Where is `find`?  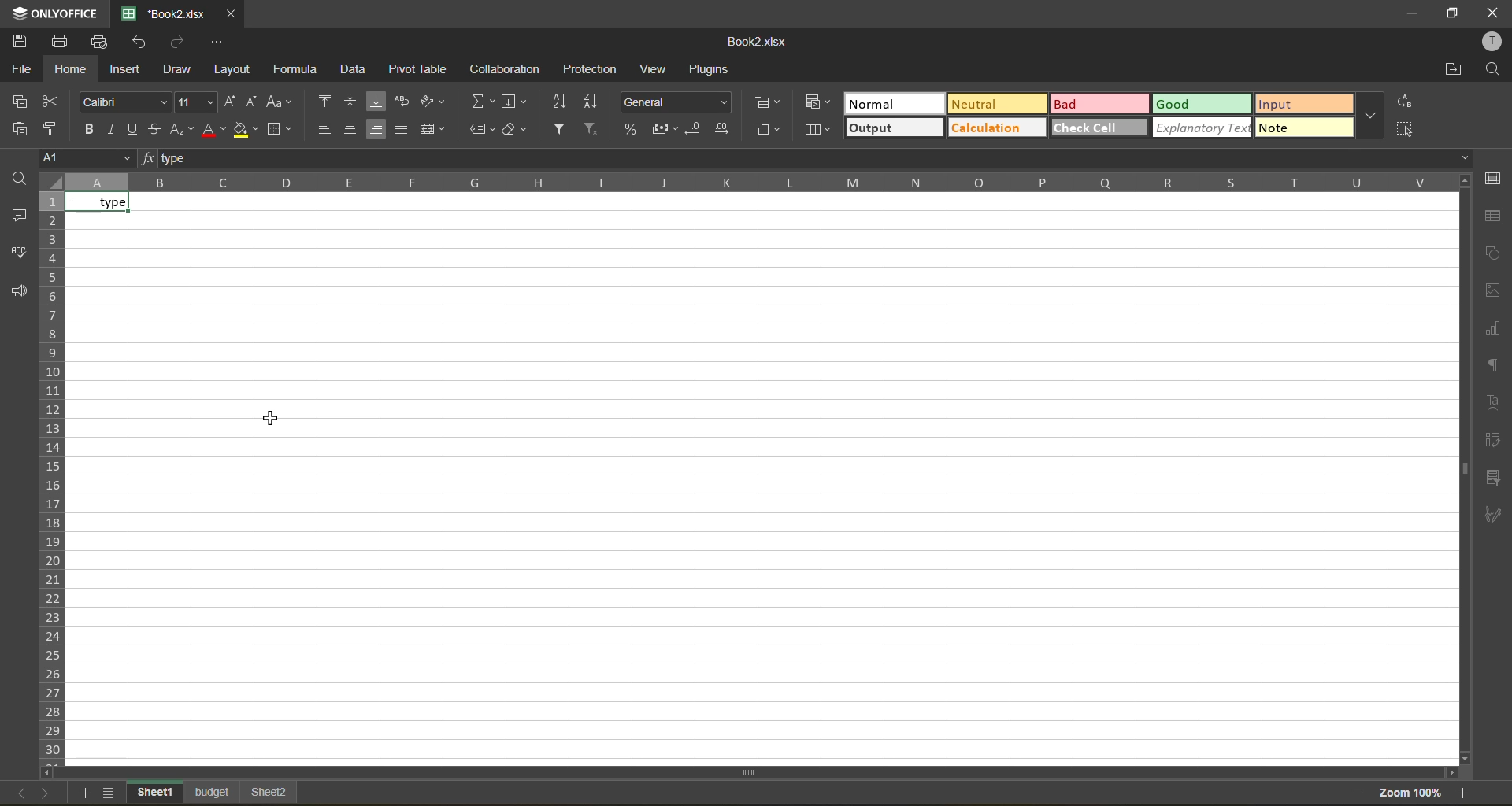 find is located at coordinates (1492, 70).